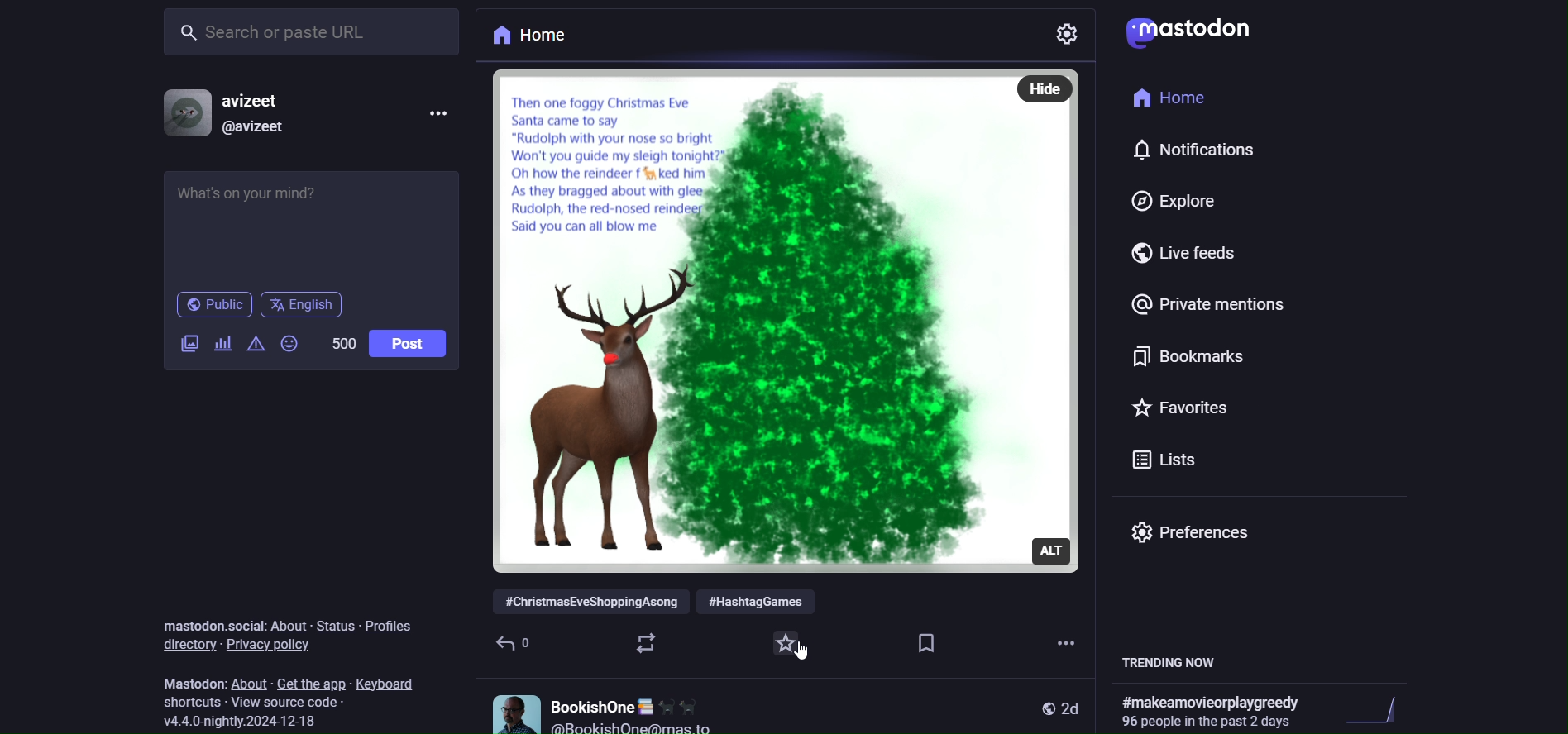  What do you see at coordinates (588, 595) in the screenshot?
I see `#ChristmasEveShoppingAsong` at bounding box center [588, 595].